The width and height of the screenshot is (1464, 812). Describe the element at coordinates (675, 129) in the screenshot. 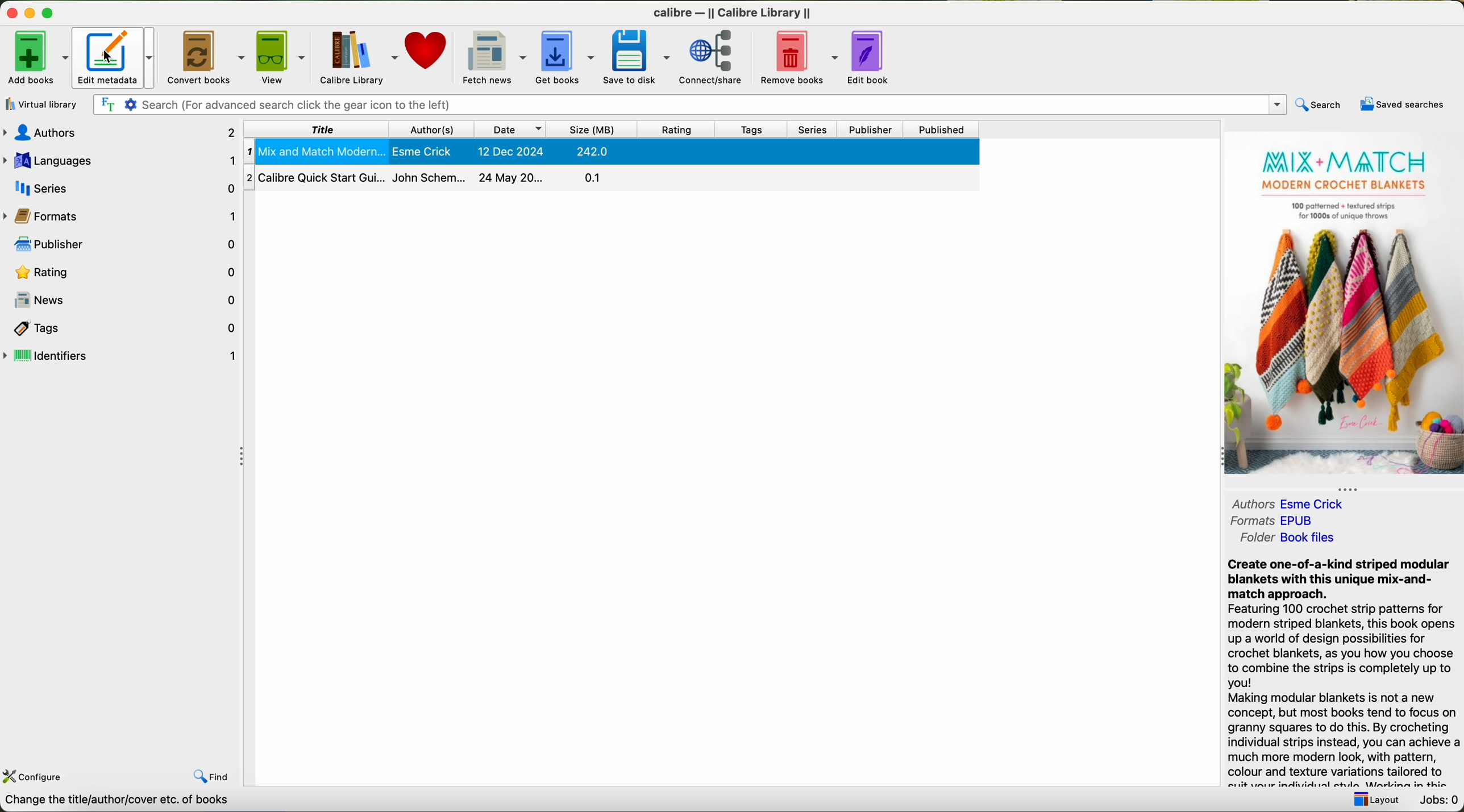

I see `rating` at that location.